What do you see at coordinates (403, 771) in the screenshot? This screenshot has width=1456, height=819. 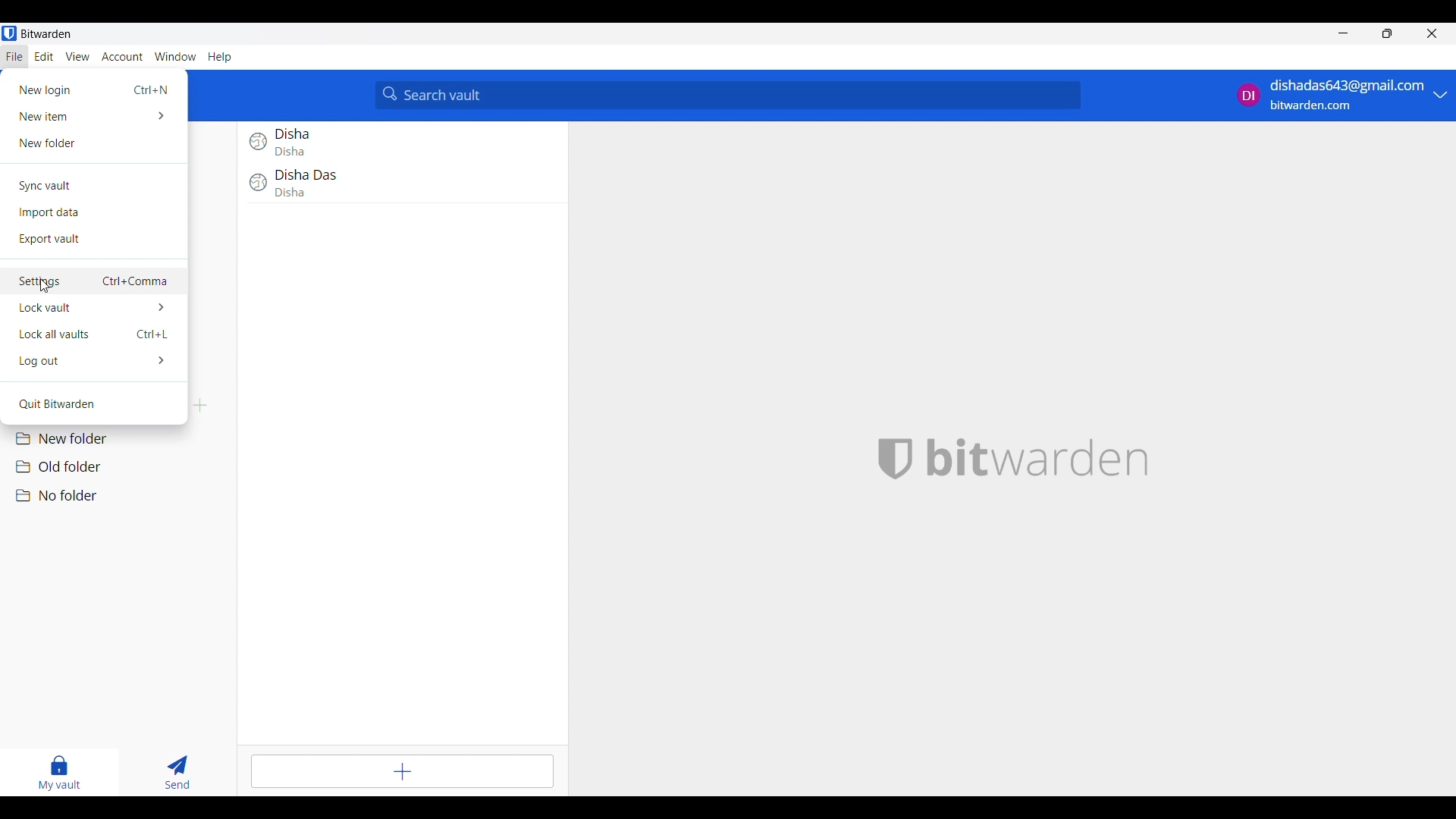 I see `Add item` at bounding box center [403, 771].